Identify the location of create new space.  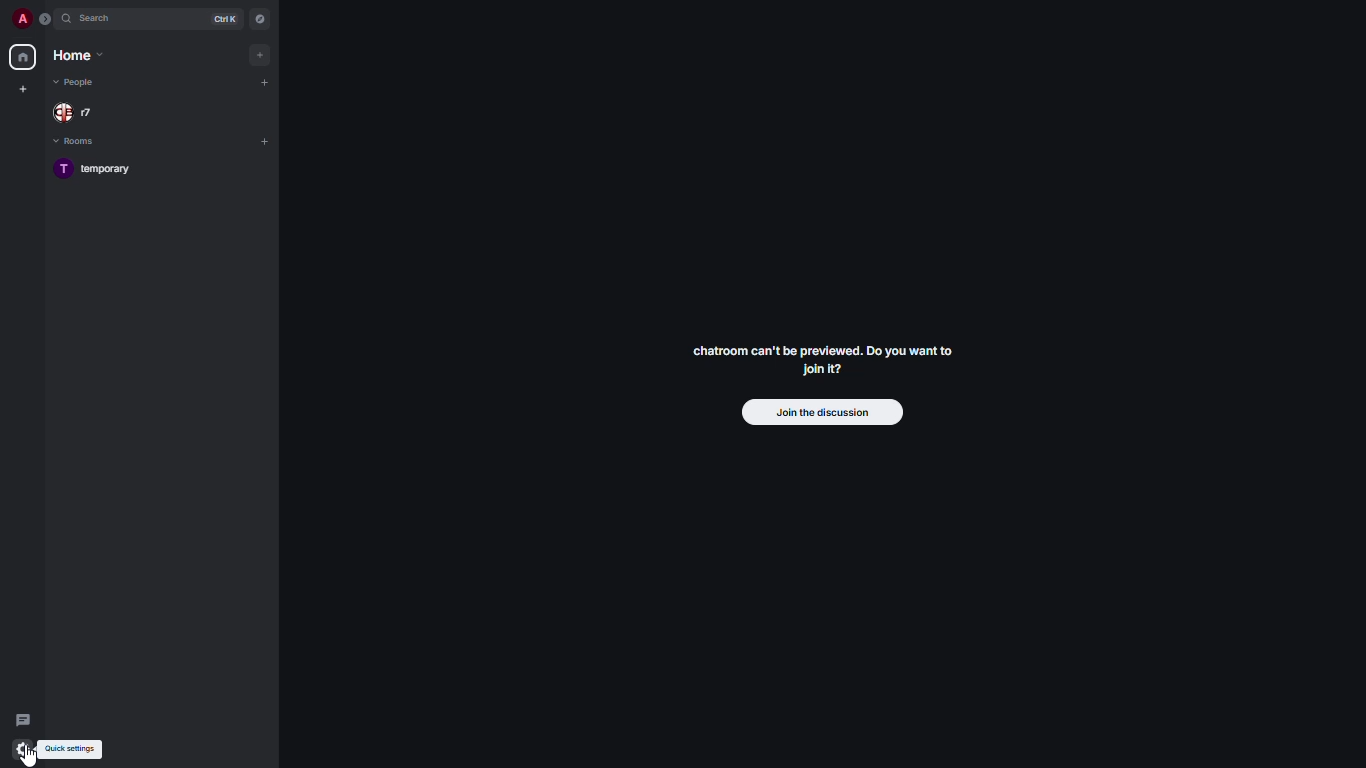
(27, 87).